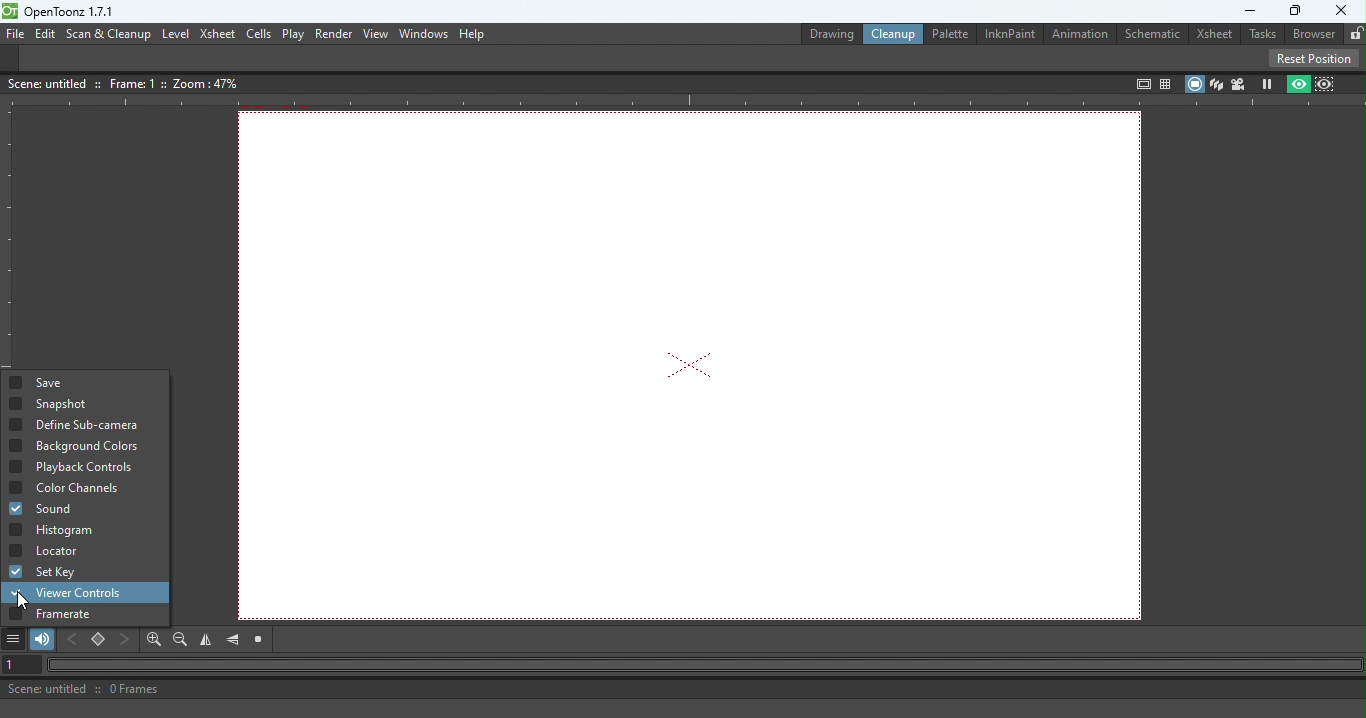 This screenshot has width=1366, height=718. What do you see at coordinates (1082, 35) in the screenshot?
I see `Animation` at bounding box center [1082, 35].